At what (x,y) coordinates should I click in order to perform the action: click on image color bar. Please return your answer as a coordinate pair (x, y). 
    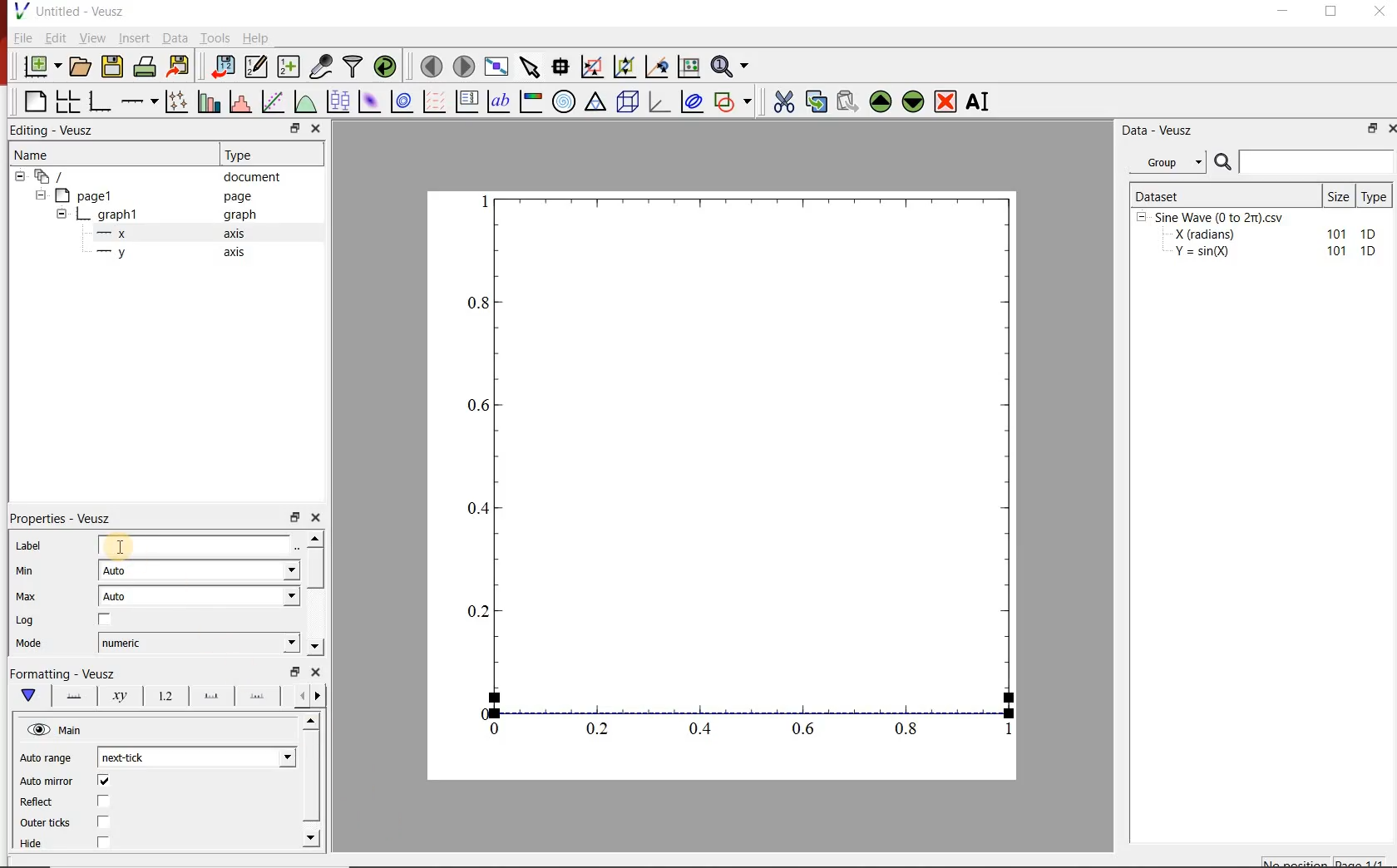
    Looking at the image, I should click on (531, 101).